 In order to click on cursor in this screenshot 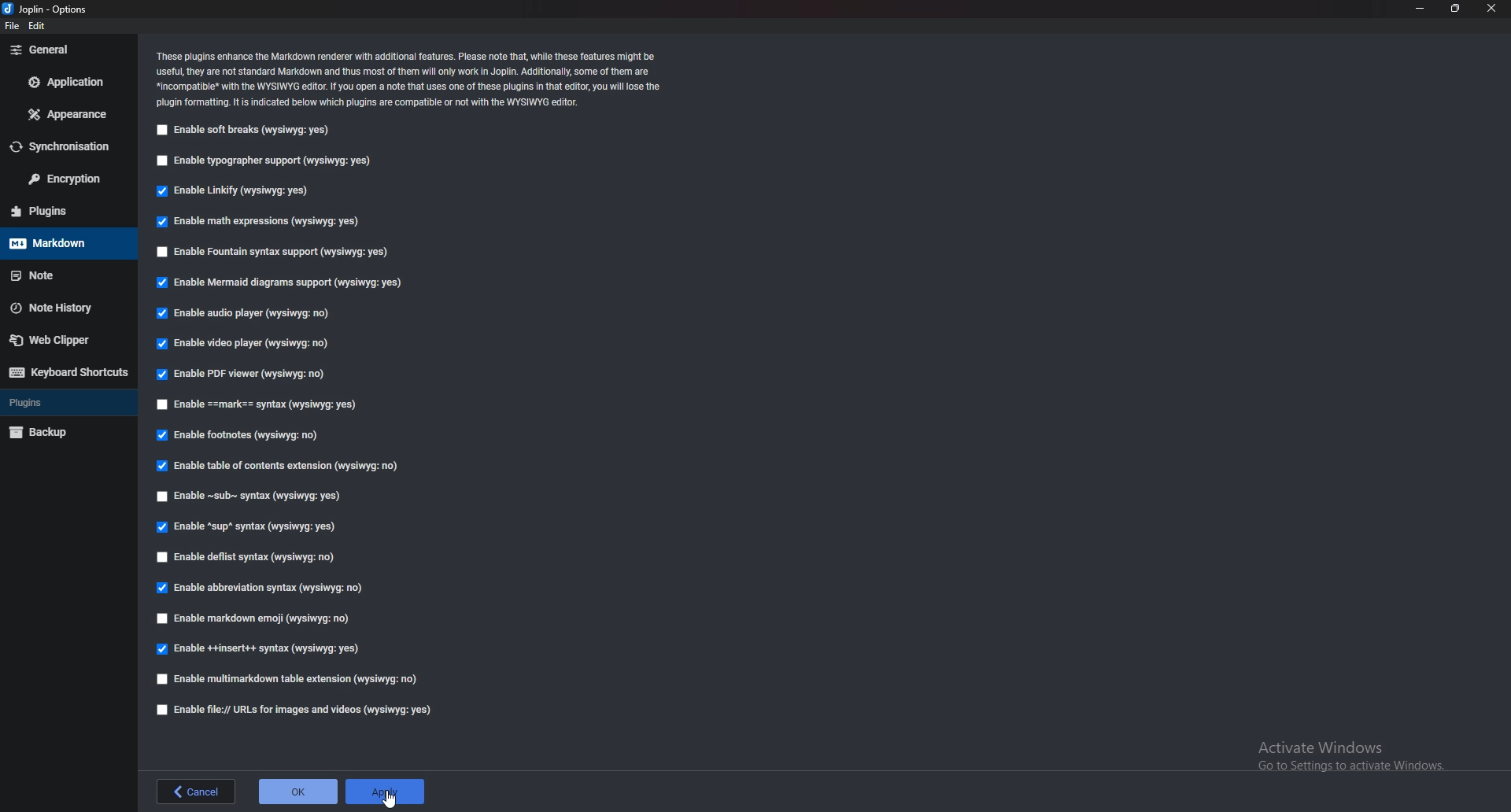, I will do `click(389, 798)`.